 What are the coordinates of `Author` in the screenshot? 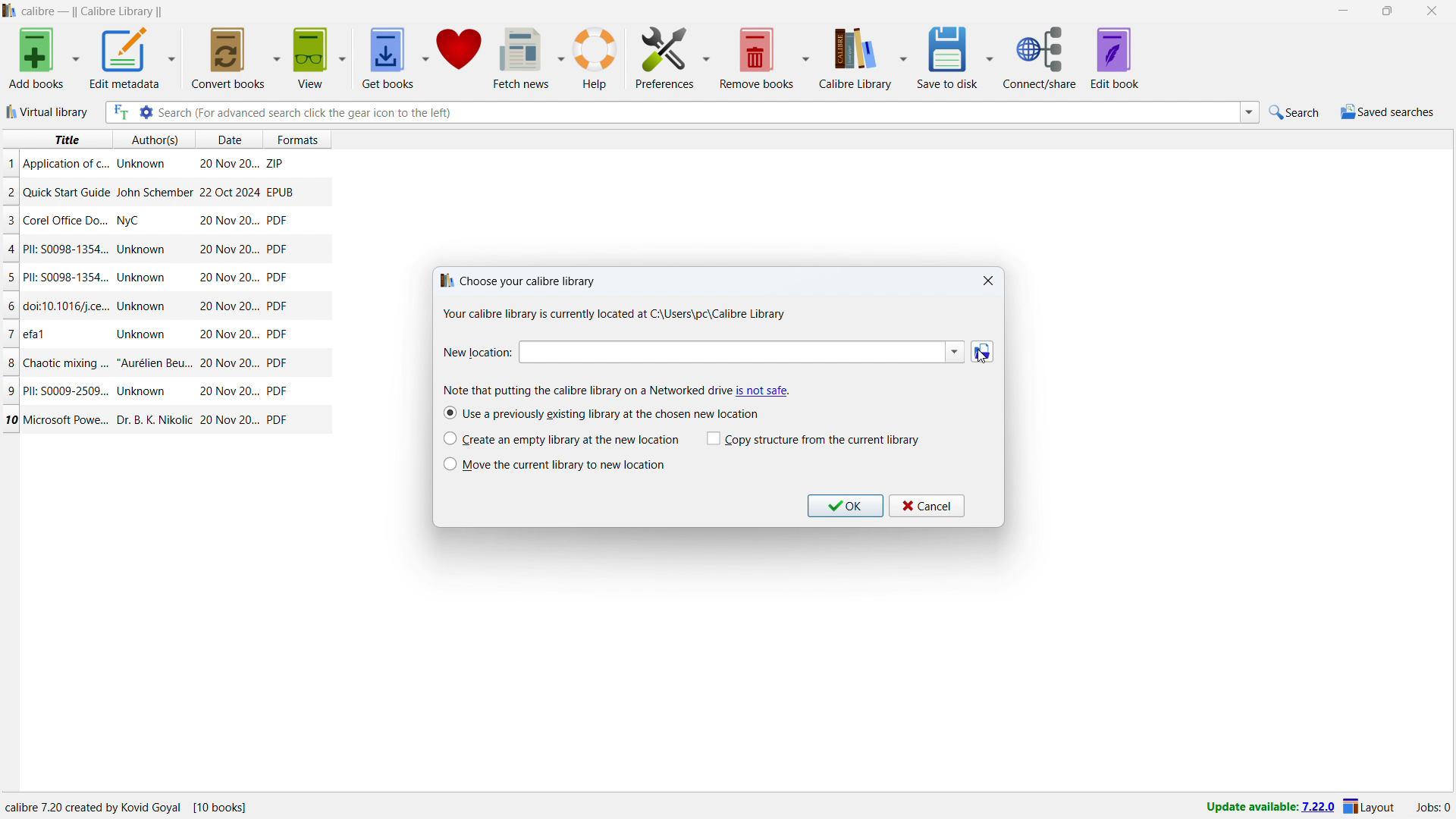 It's located at (152, 418).